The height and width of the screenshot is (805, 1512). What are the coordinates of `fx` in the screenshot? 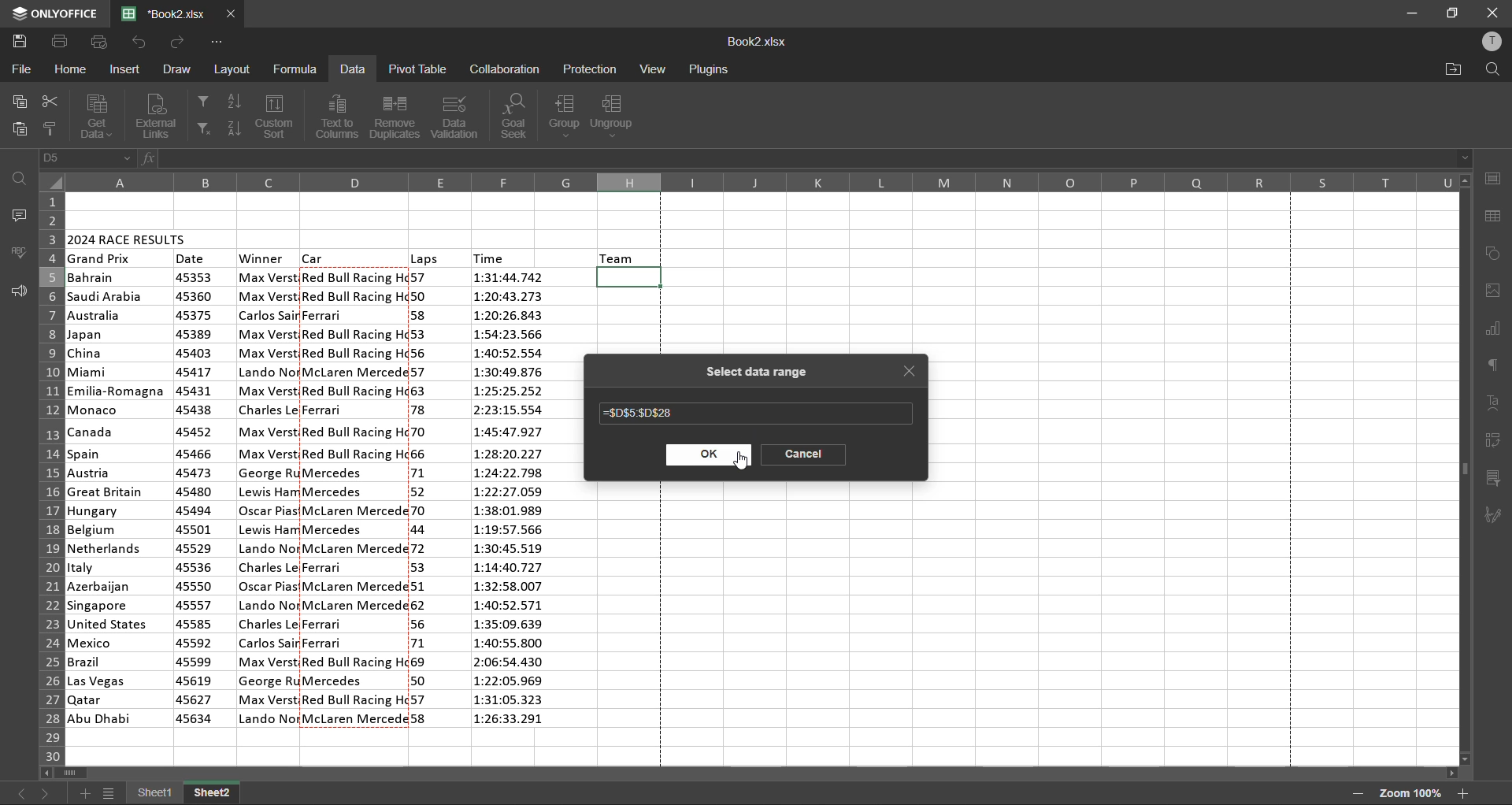 It's located at (150, 161).